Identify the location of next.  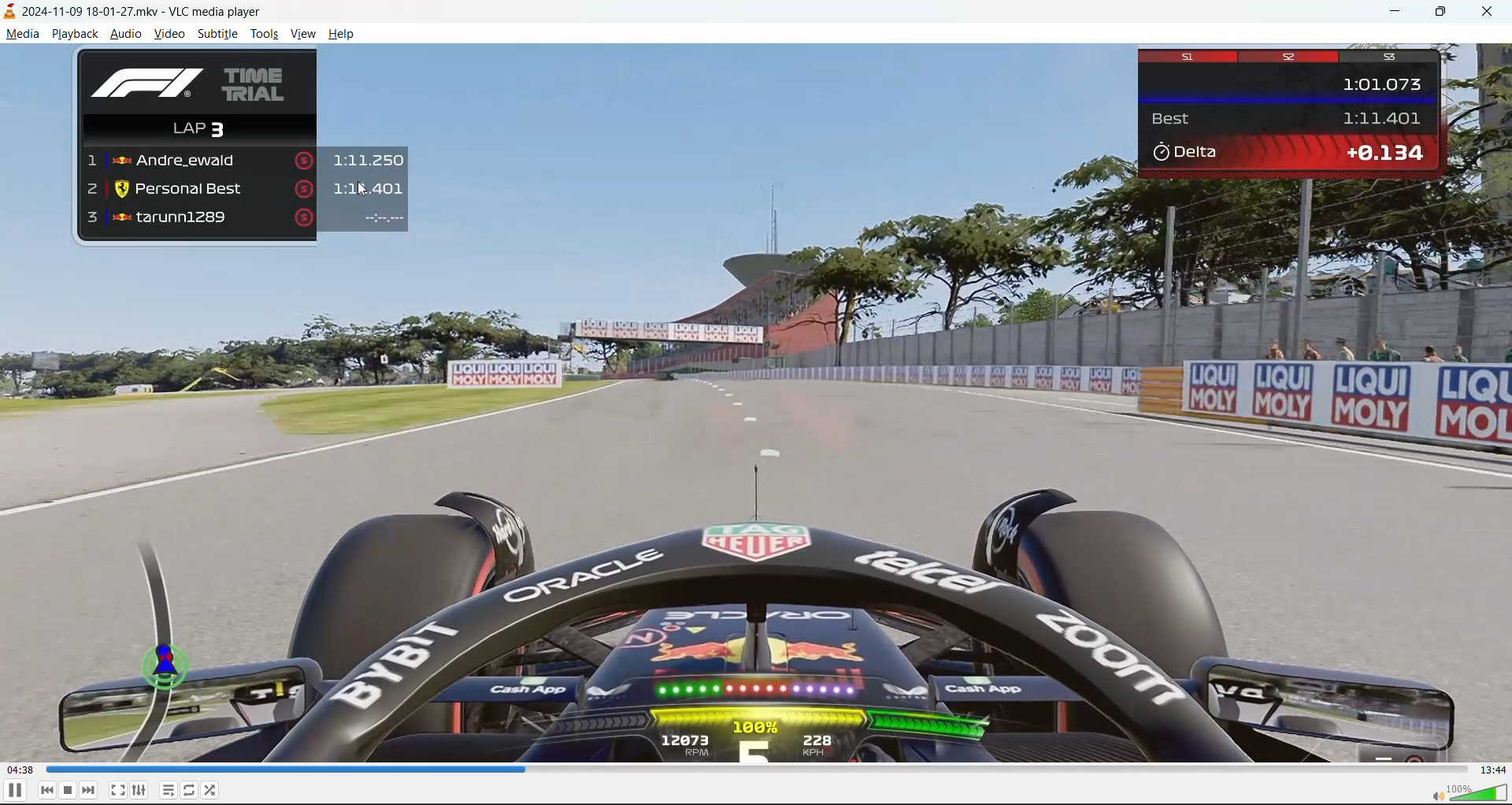
(89, 790).